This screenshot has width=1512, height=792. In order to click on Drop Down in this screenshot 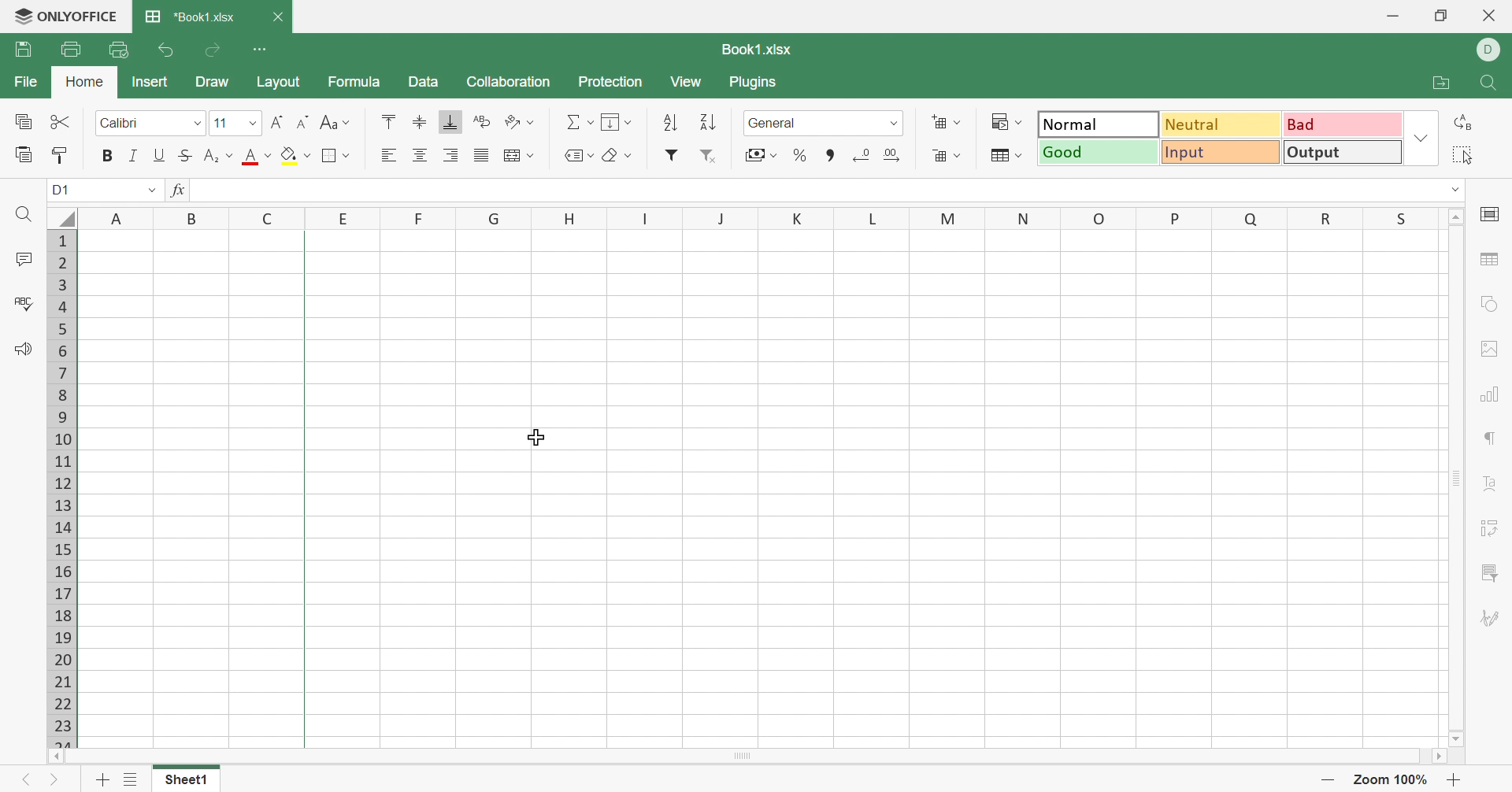, I will do `click(197, 123)`.